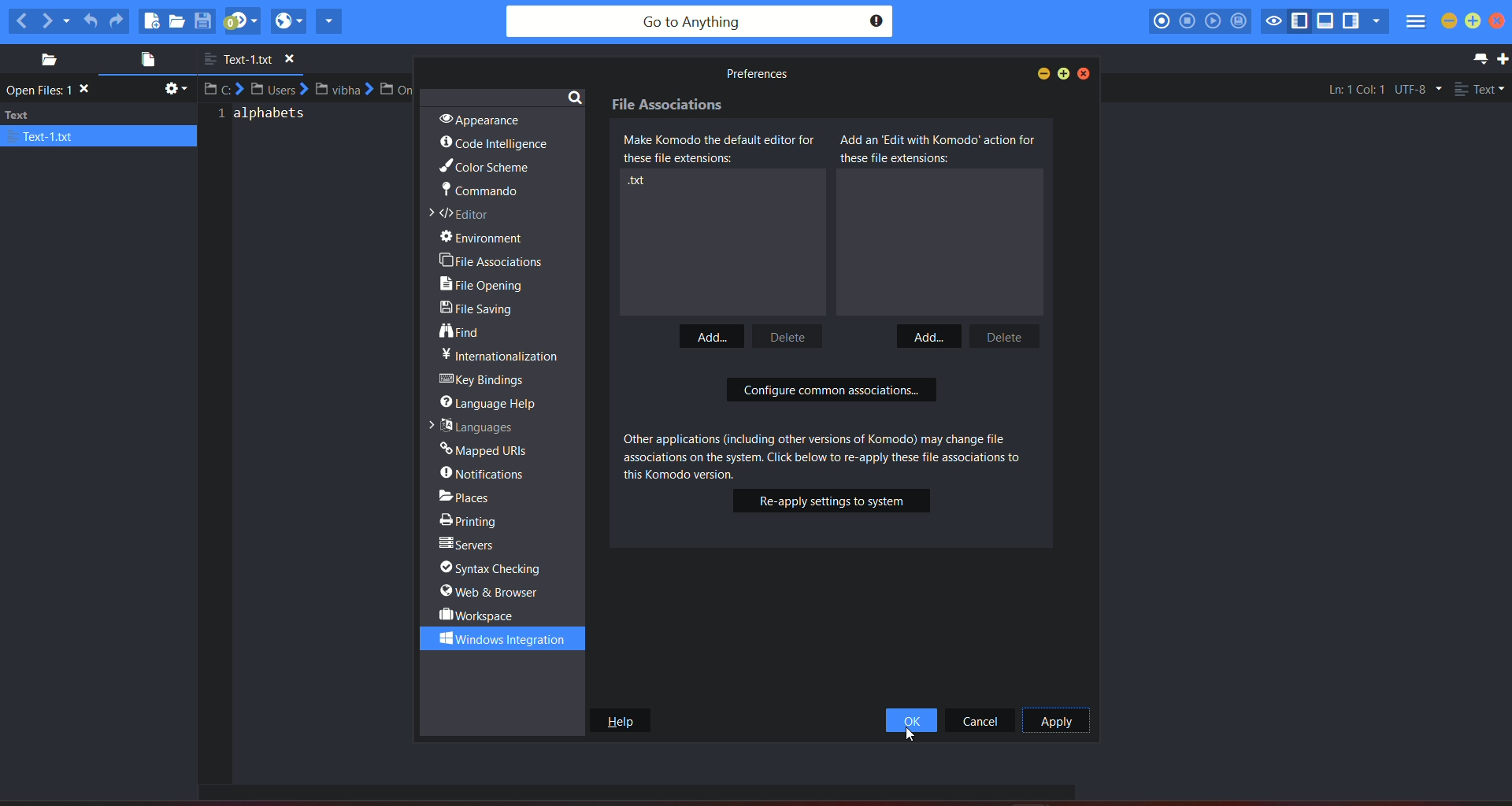  I want to click on places, so click(478, 495).